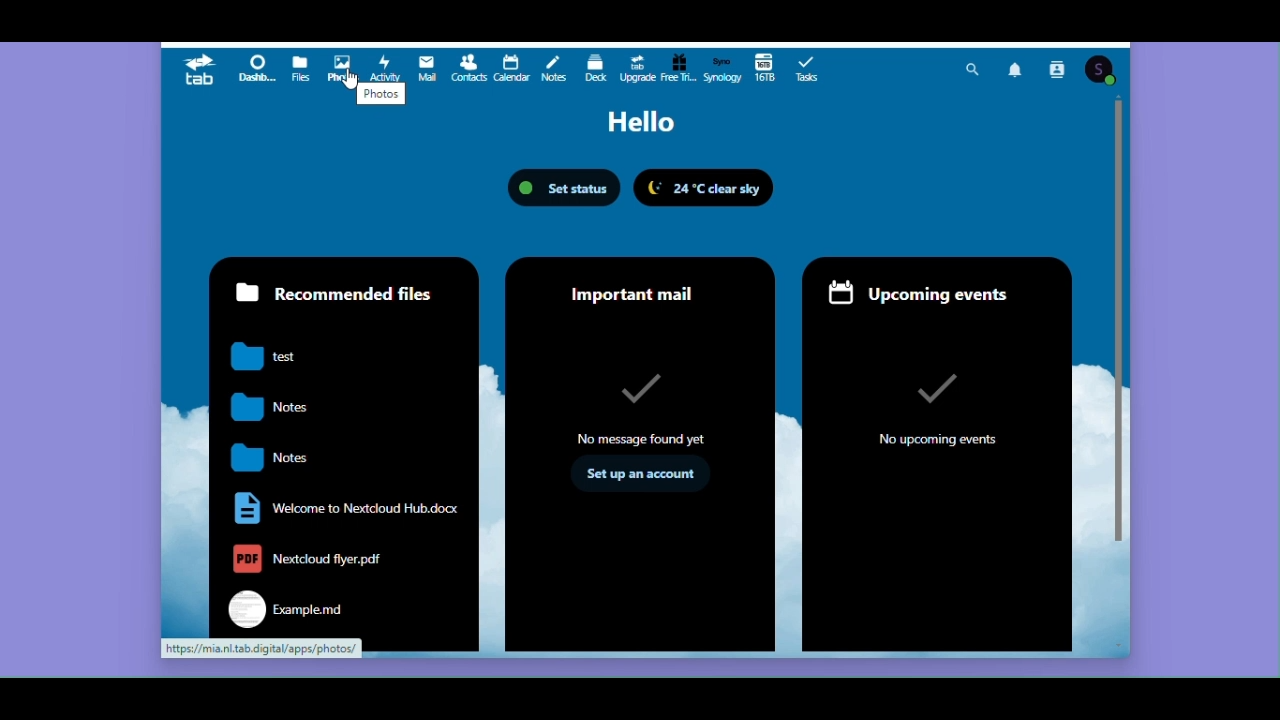 This screenshot has height=720, width=1280. Describe the element at coordinates (638, 122) in the screenshot. I see `Hello ` at that location.